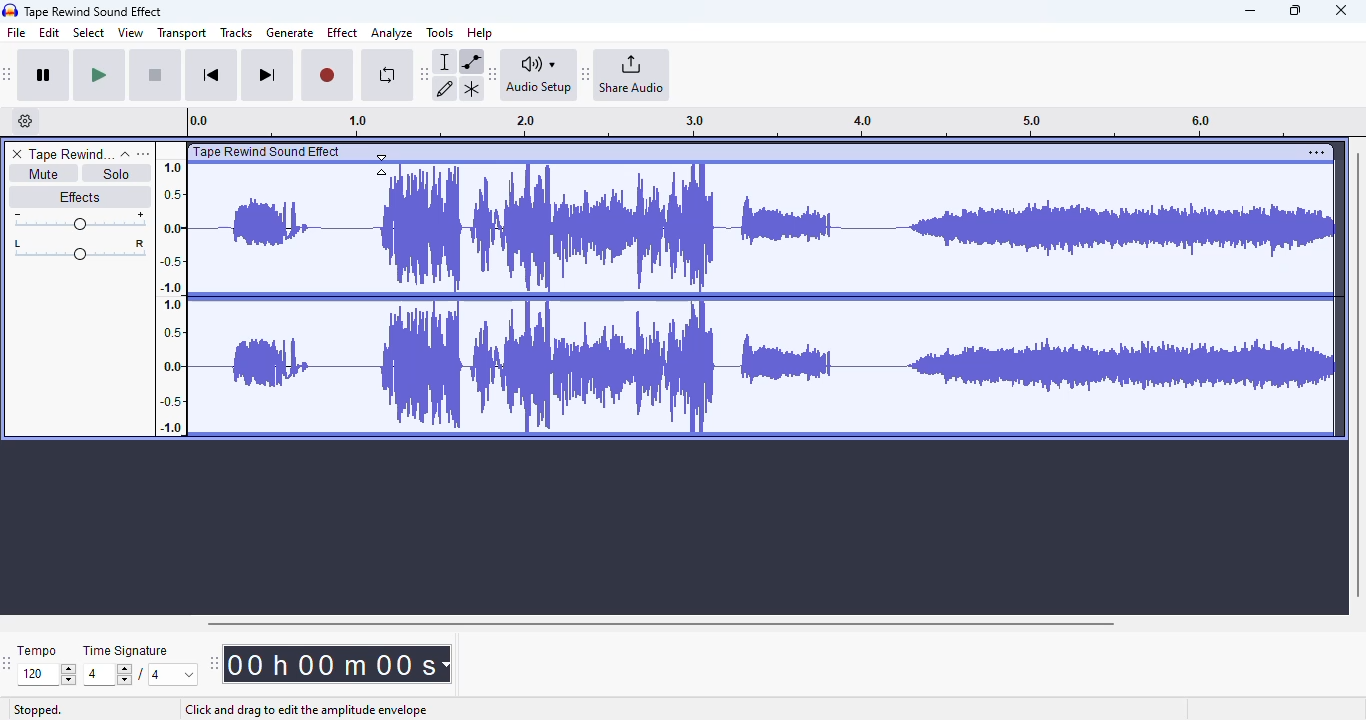 The height and width of the screenshot is (720, 1366). I want to click on audio track, so click(746, 290).